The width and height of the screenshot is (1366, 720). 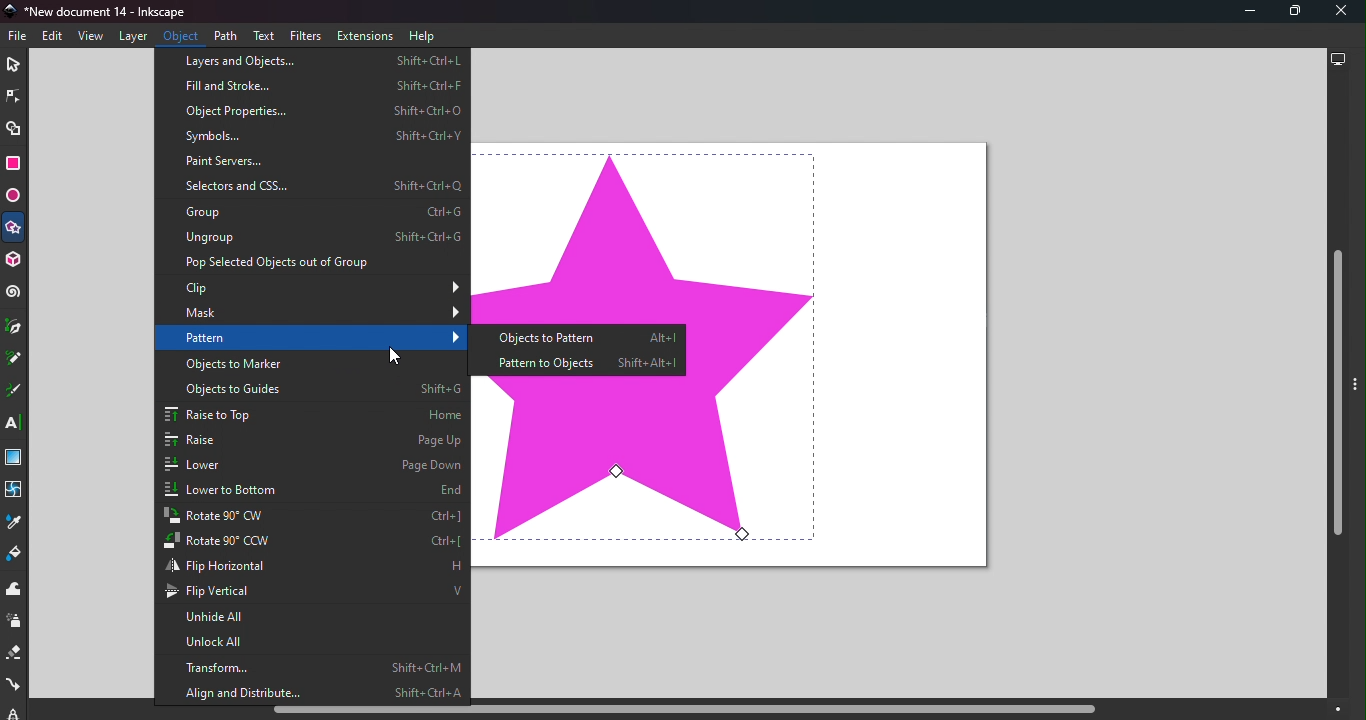 I want to click on View, so click(x=90, y=35).